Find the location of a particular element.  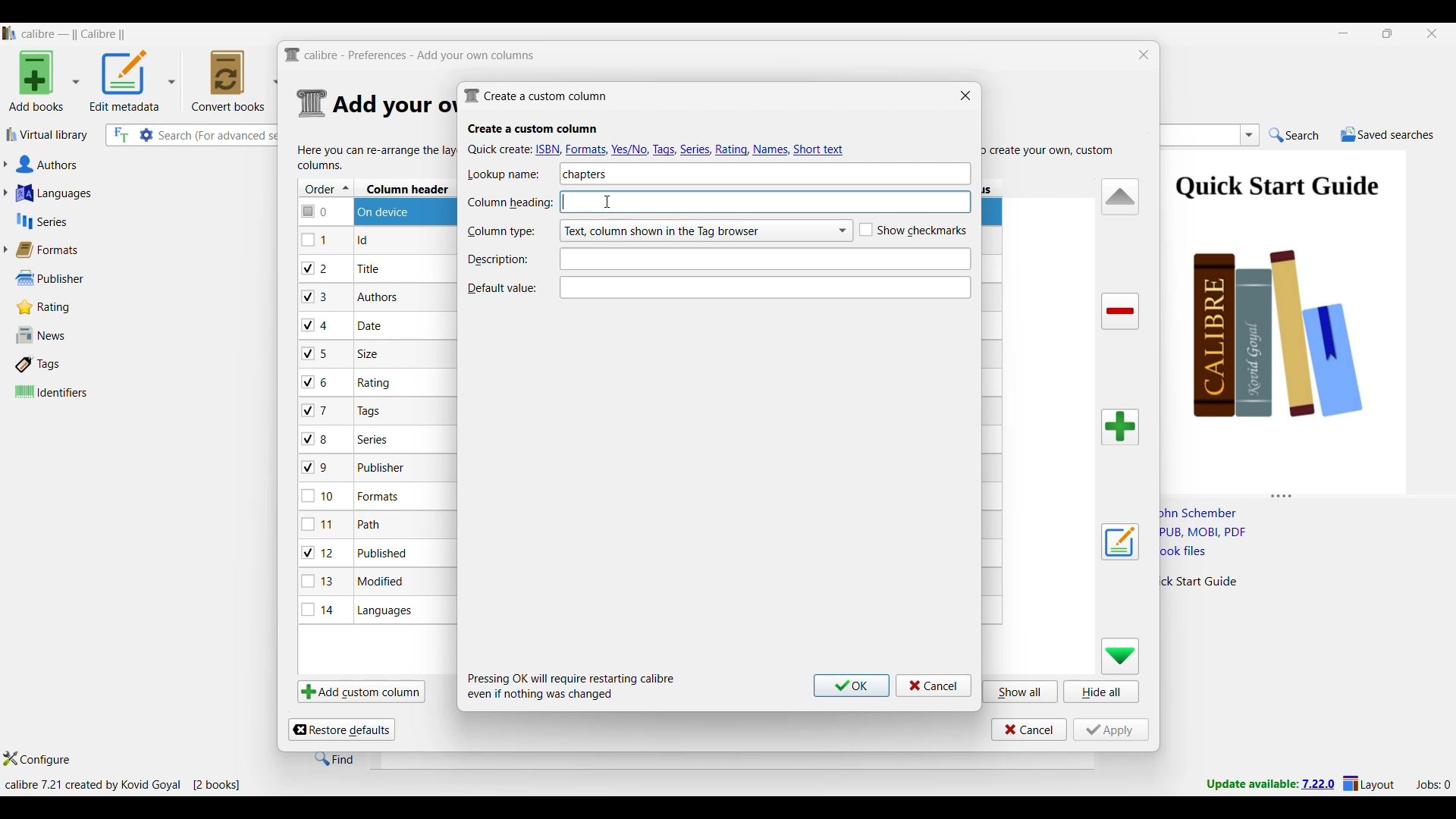

Cancel is located at coordinates (934, 686).